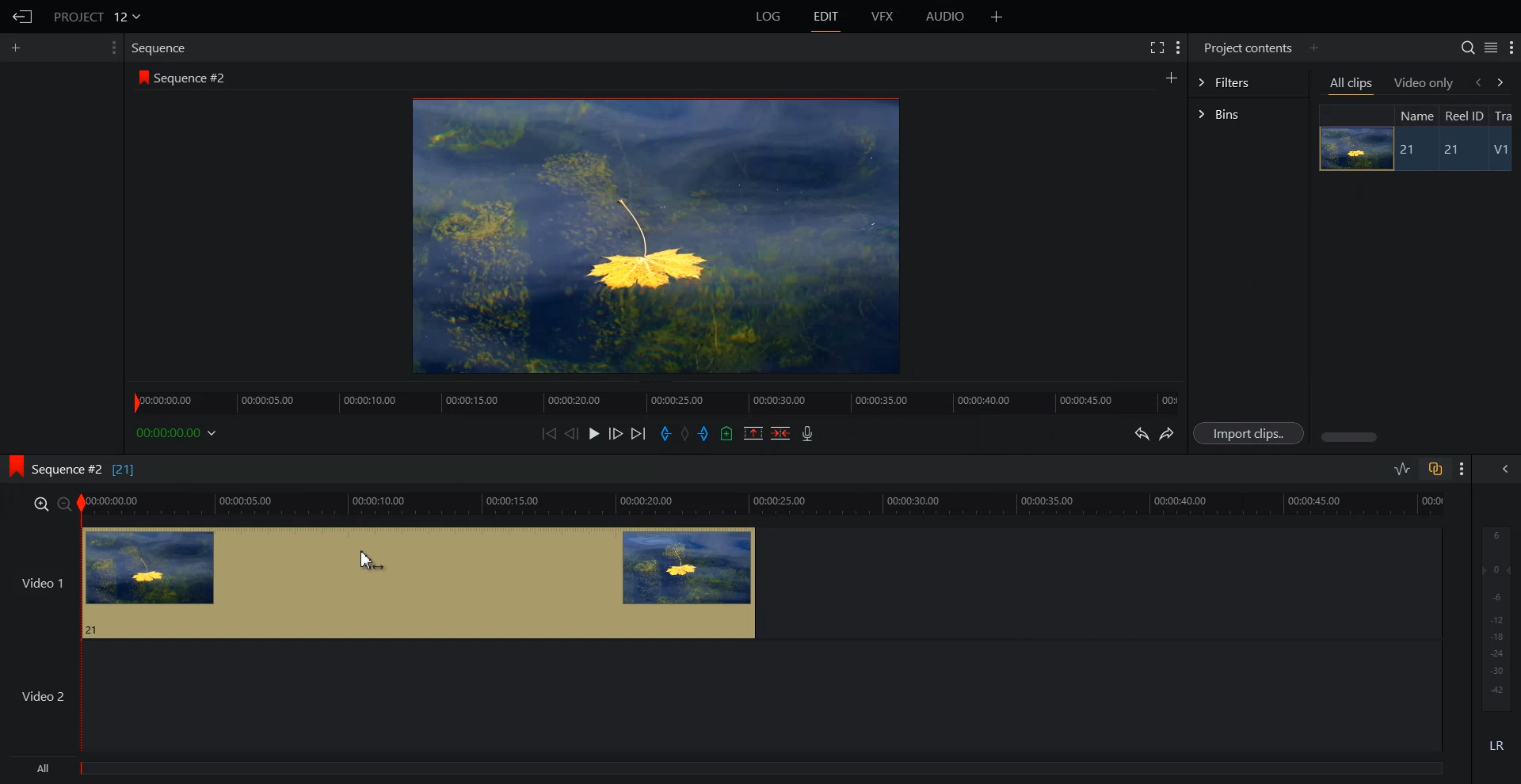  Describe the element at coordinates (112, 48) in the screenshot. I see `Show setting menu` at that location.